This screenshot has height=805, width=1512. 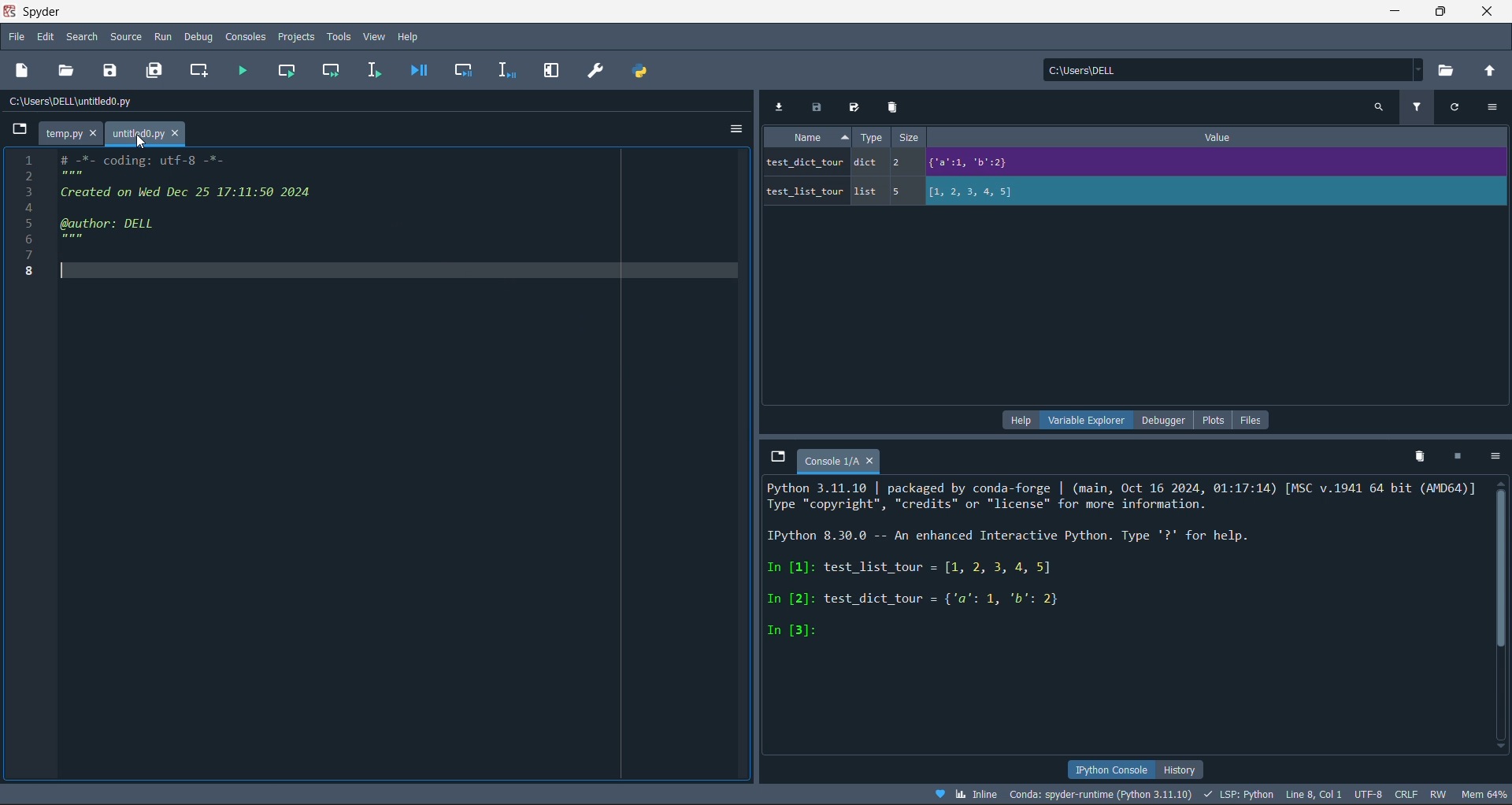 What do you see at coordinates (1450, 69) in the screenshot?
I see `search directory ` at bounding box center [1450, 69].